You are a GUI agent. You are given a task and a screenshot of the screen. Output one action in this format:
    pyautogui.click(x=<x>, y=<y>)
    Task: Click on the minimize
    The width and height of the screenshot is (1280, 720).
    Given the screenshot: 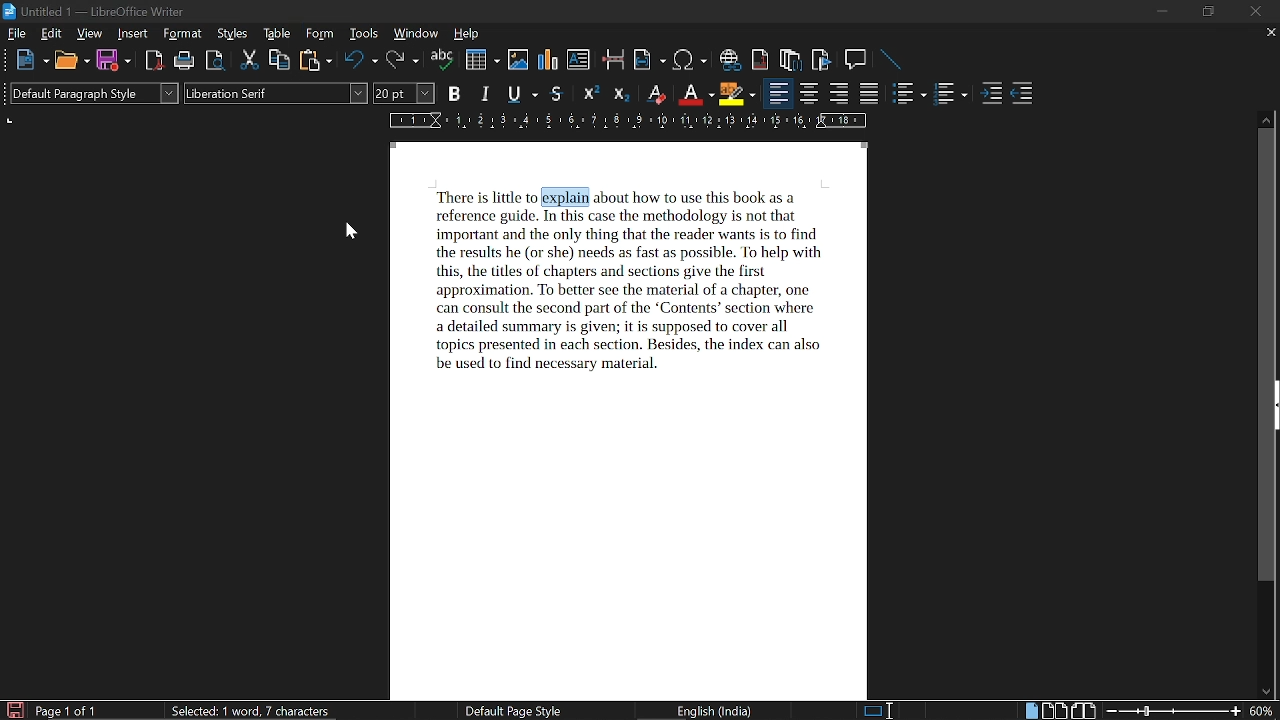 What is the action you would take?
    pyautogui.click(x=1163, y=11)
    